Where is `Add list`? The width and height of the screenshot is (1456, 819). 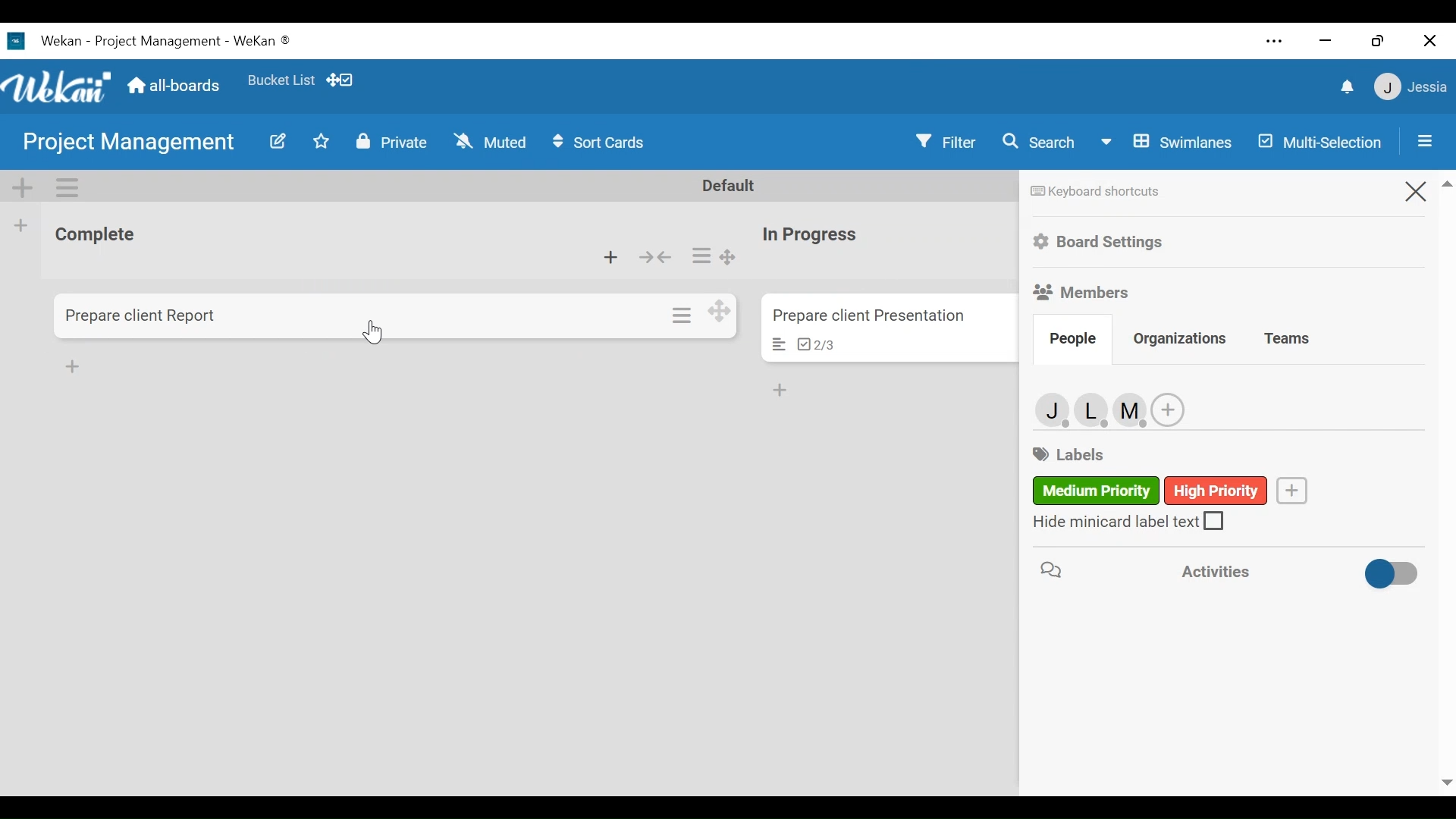 Add list is located at coordinates (22, 225).